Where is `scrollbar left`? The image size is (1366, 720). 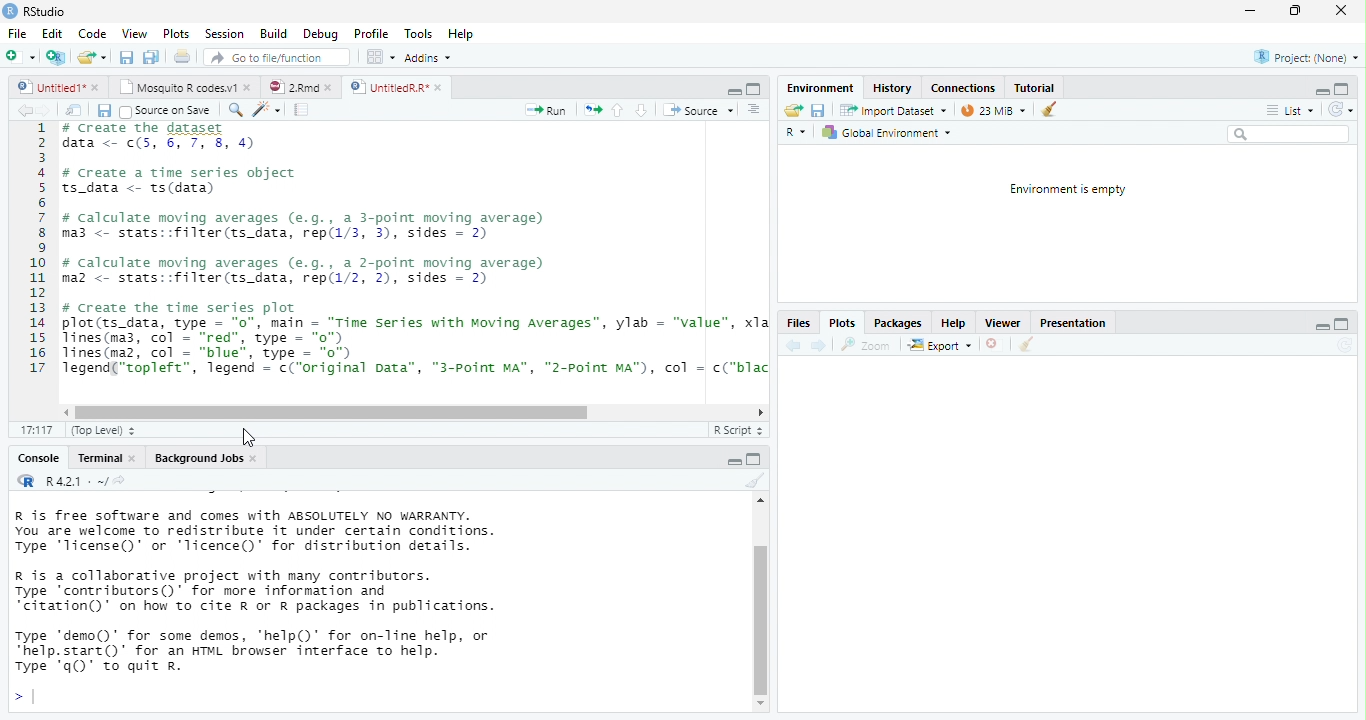 scrollbar left is located at coordinates (63, 412).